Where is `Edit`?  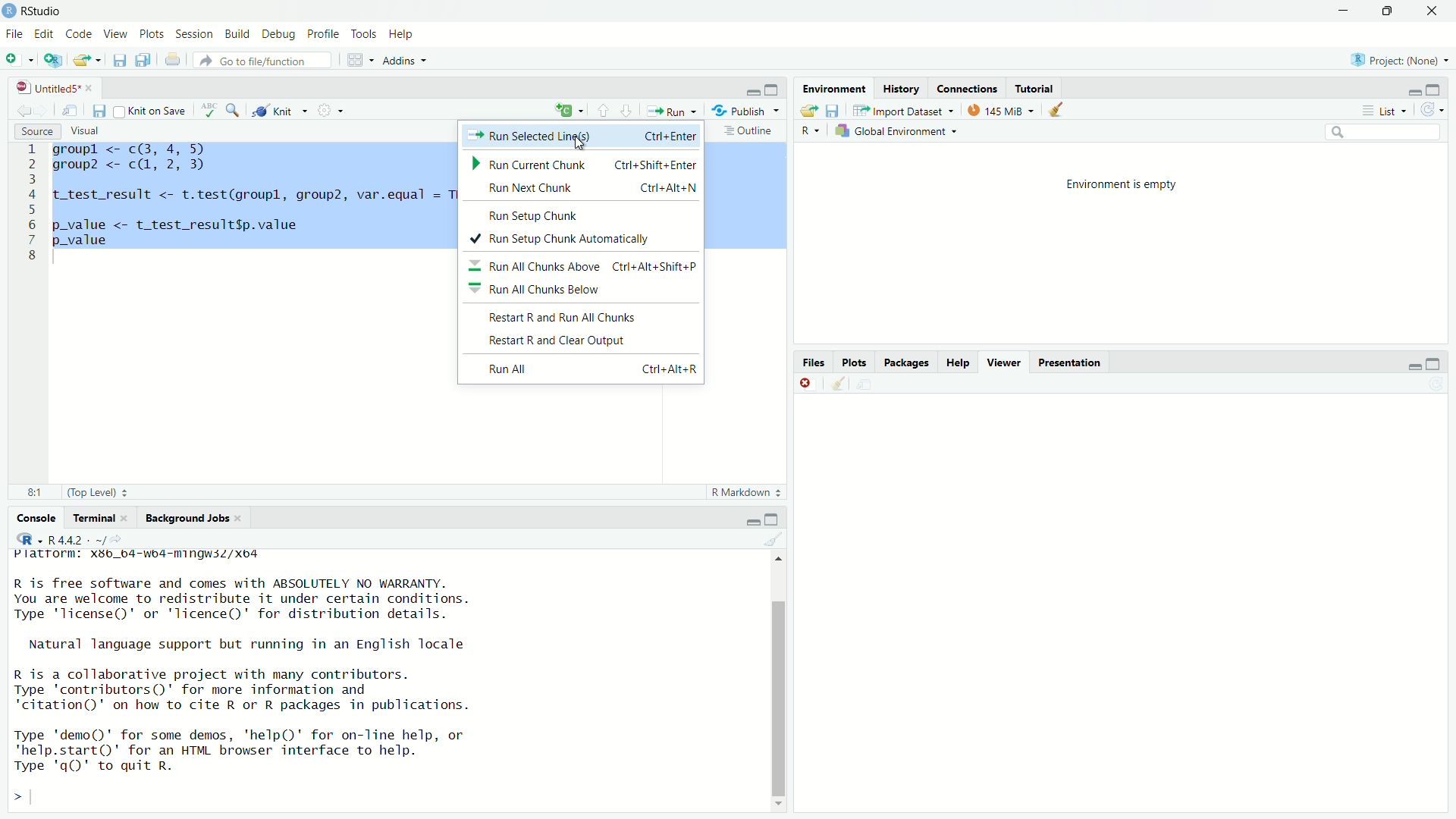 Edit is located at coordinates (46, 33).